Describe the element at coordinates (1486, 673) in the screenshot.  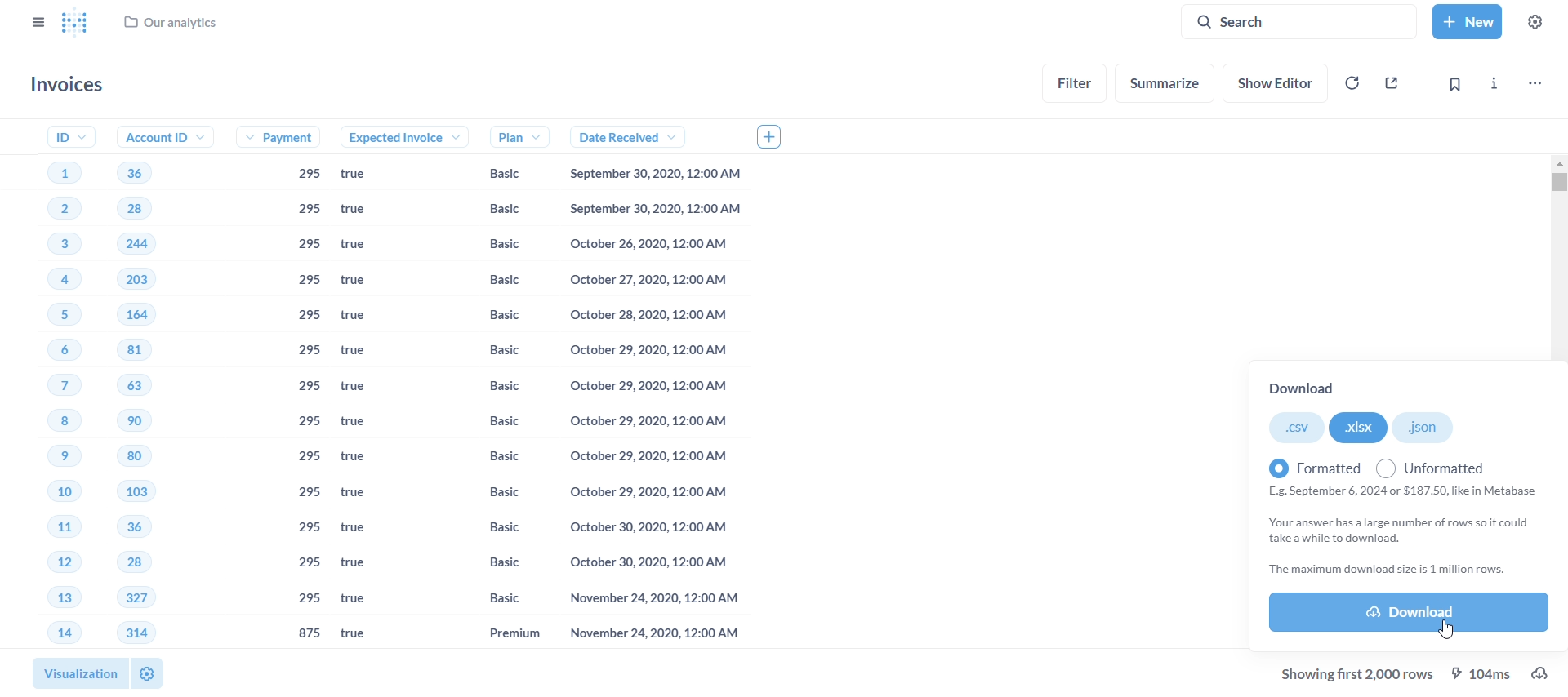
I see `104MS` at that location.